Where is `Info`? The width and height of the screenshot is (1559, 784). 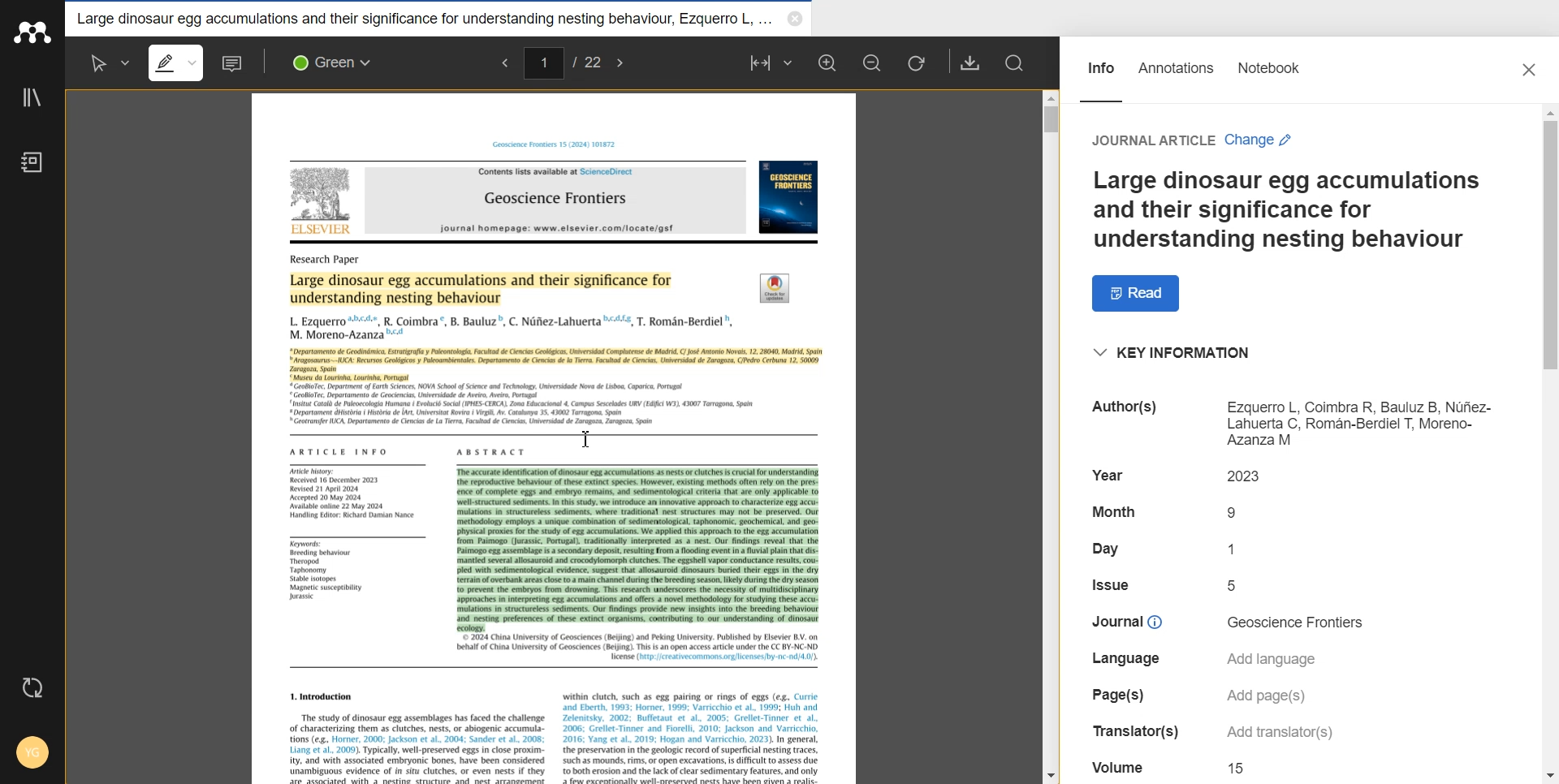
Info is located at coordinates (1100, 76).